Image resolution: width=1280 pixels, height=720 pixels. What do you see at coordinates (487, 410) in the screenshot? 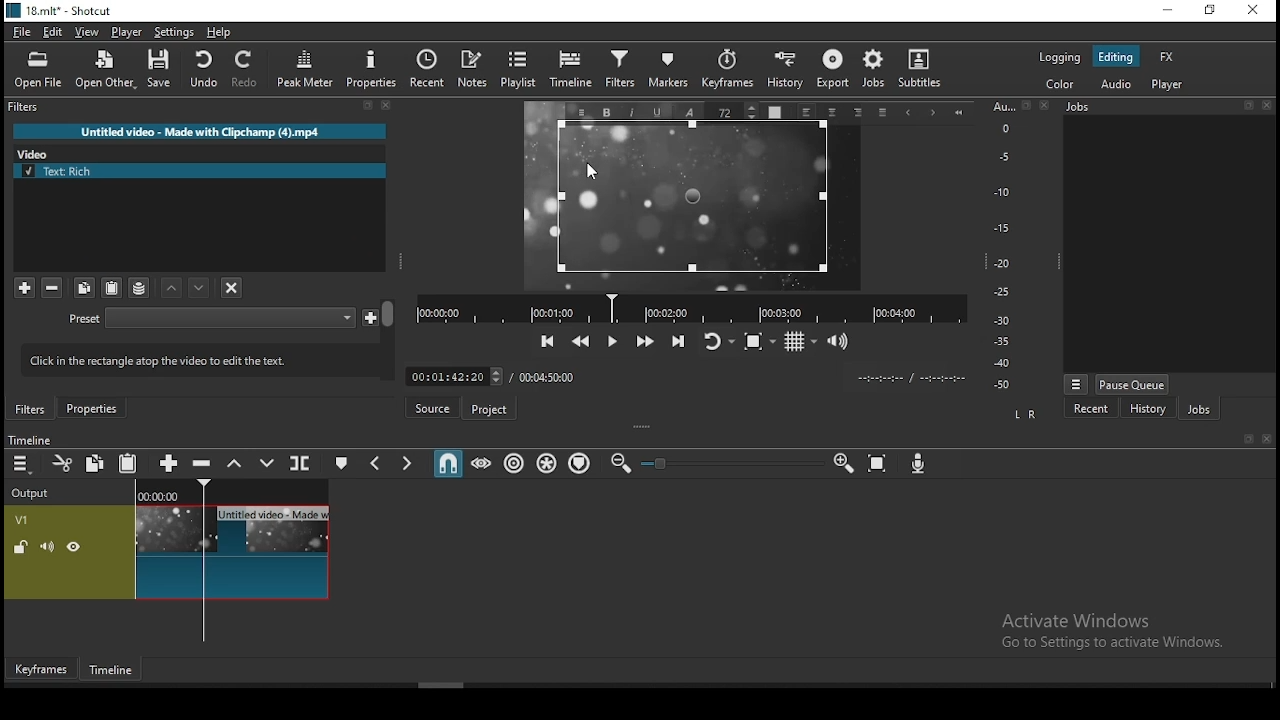
I see `project` at bounding box center [487, 410].